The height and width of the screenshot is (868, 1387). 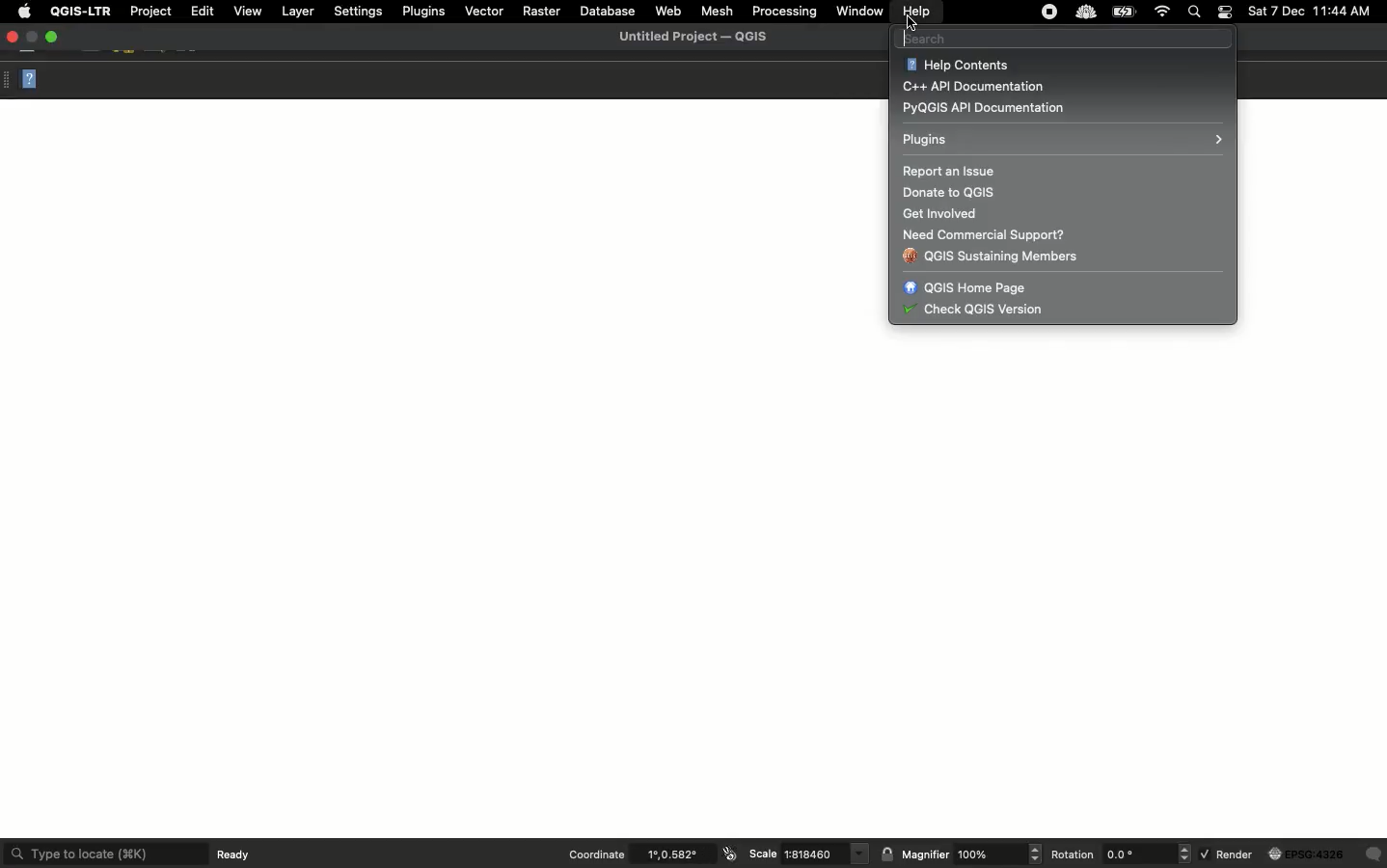 I want to click on Processing, so click(x=785, y=12).